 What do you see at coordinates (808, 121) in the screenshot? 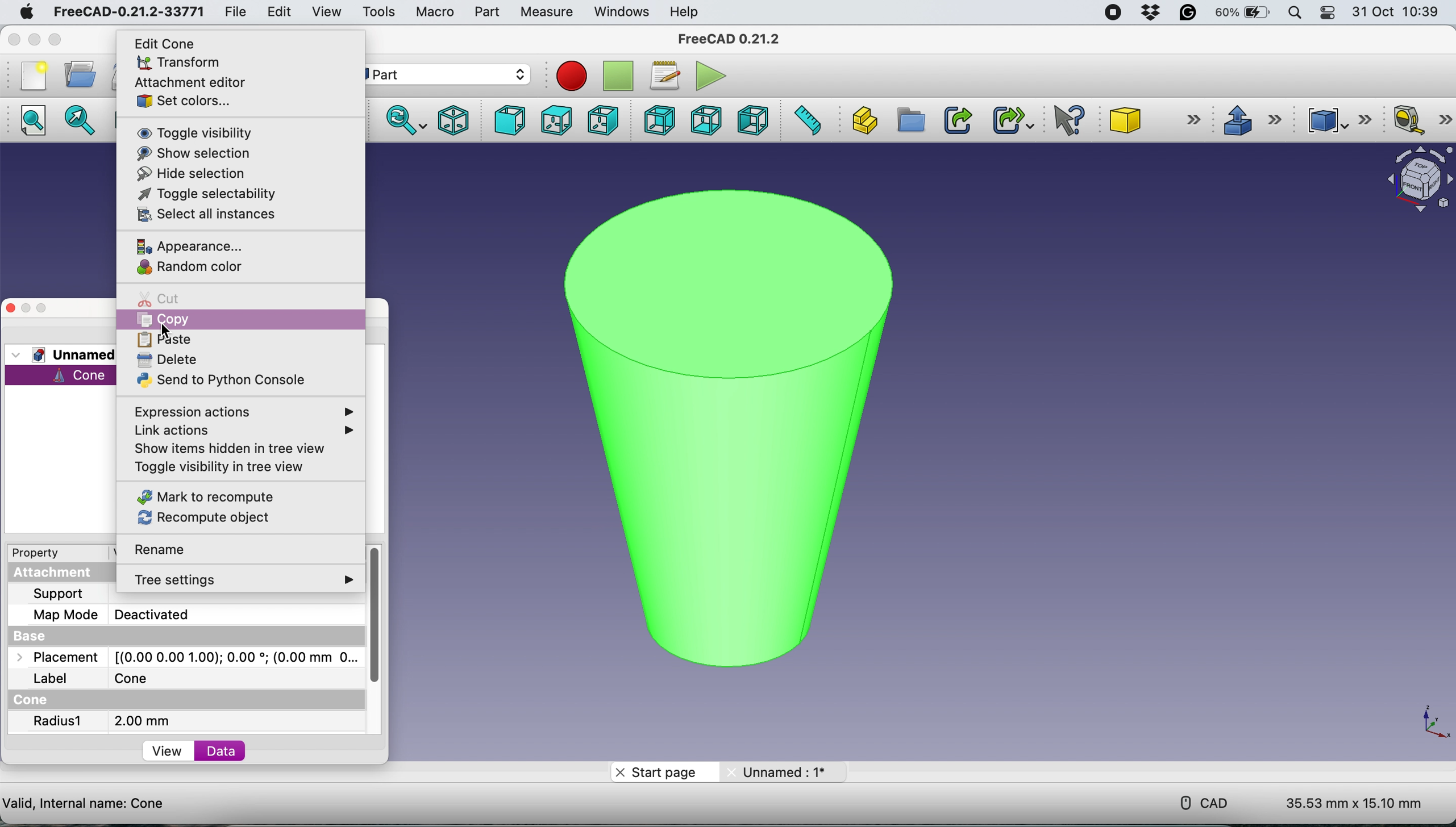
I see `measure distance` at bounding box center [808, 121].